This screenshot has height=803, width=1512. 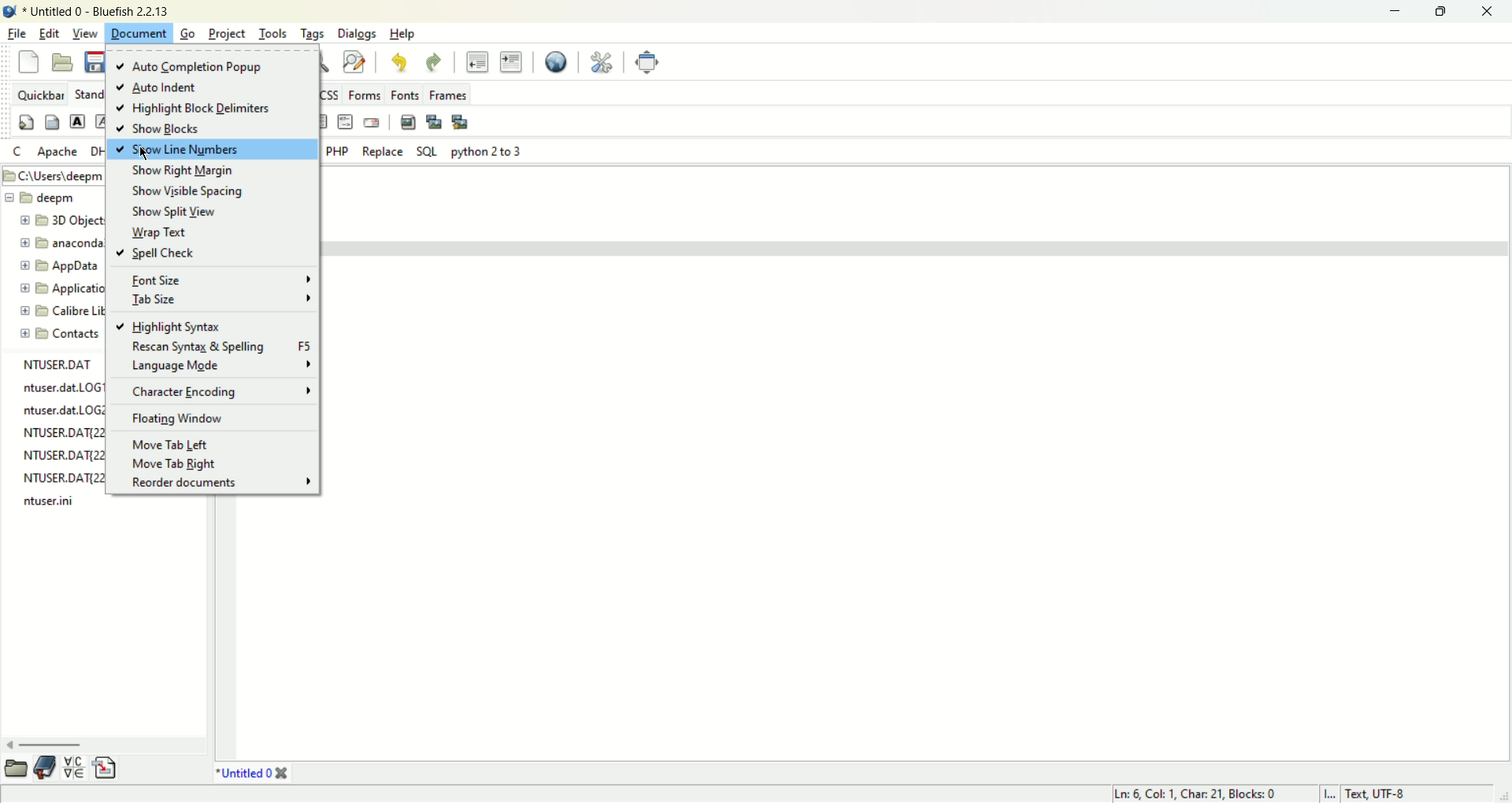 What do you see at coordinates (447, 95) in the screenshot?
I see `frames` at bounding box center [447, 95].